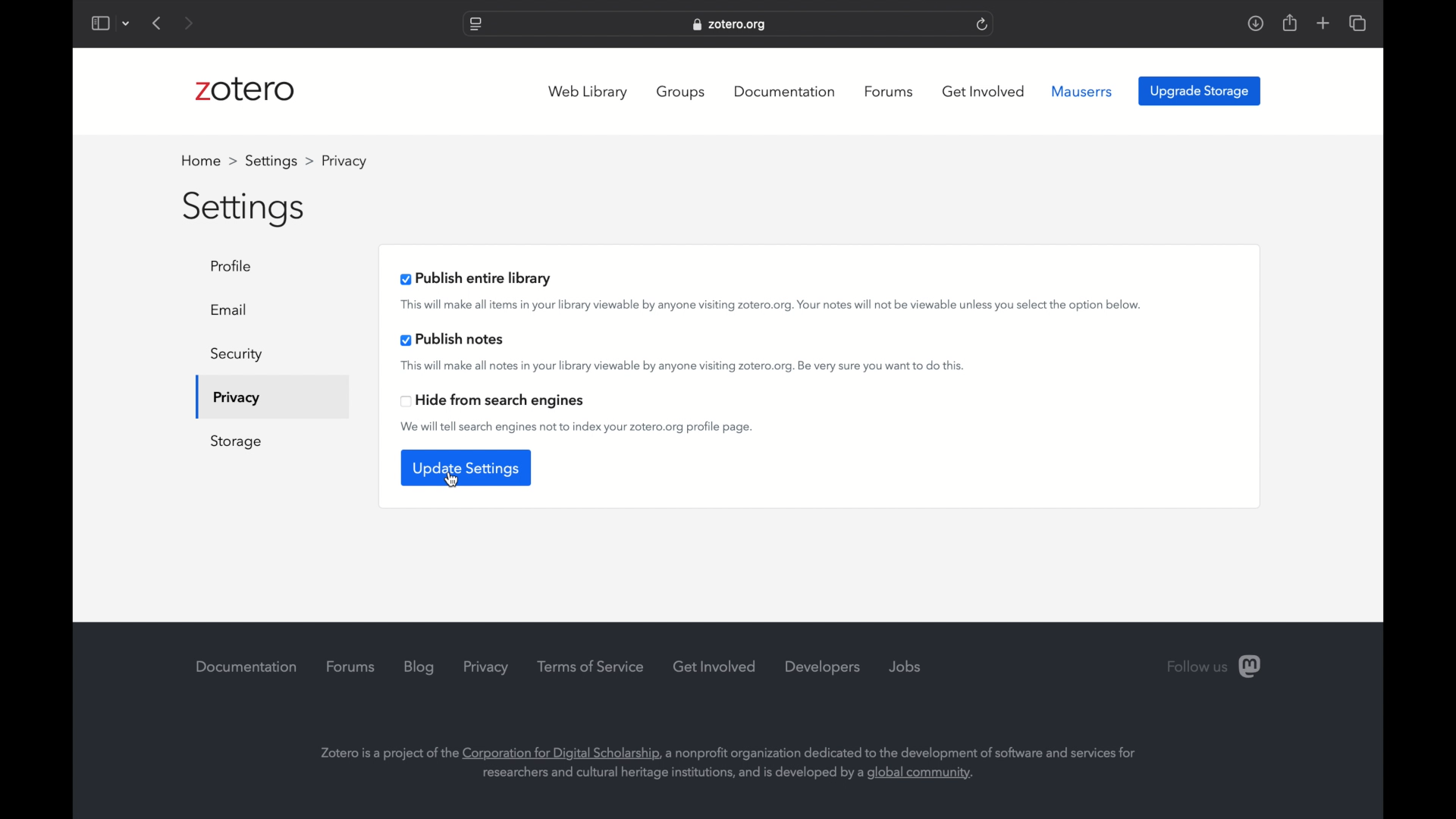  What do you see at coordinates (731, 24) in the screenshot?
I see `web address` at bounding box center [731, 24].